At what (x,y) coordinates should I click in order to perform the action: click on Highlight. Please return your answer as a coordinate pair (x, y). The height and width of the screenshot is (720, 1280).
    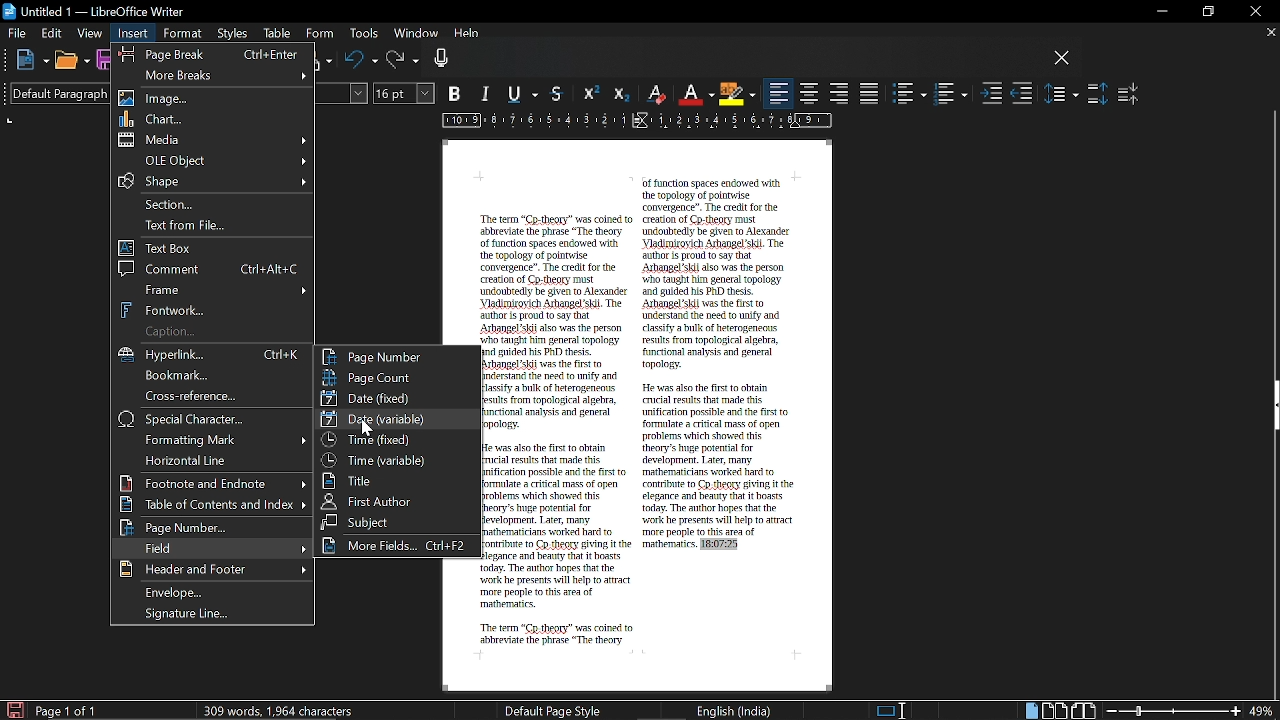
    Looking at the image, I should click on (736, 93).